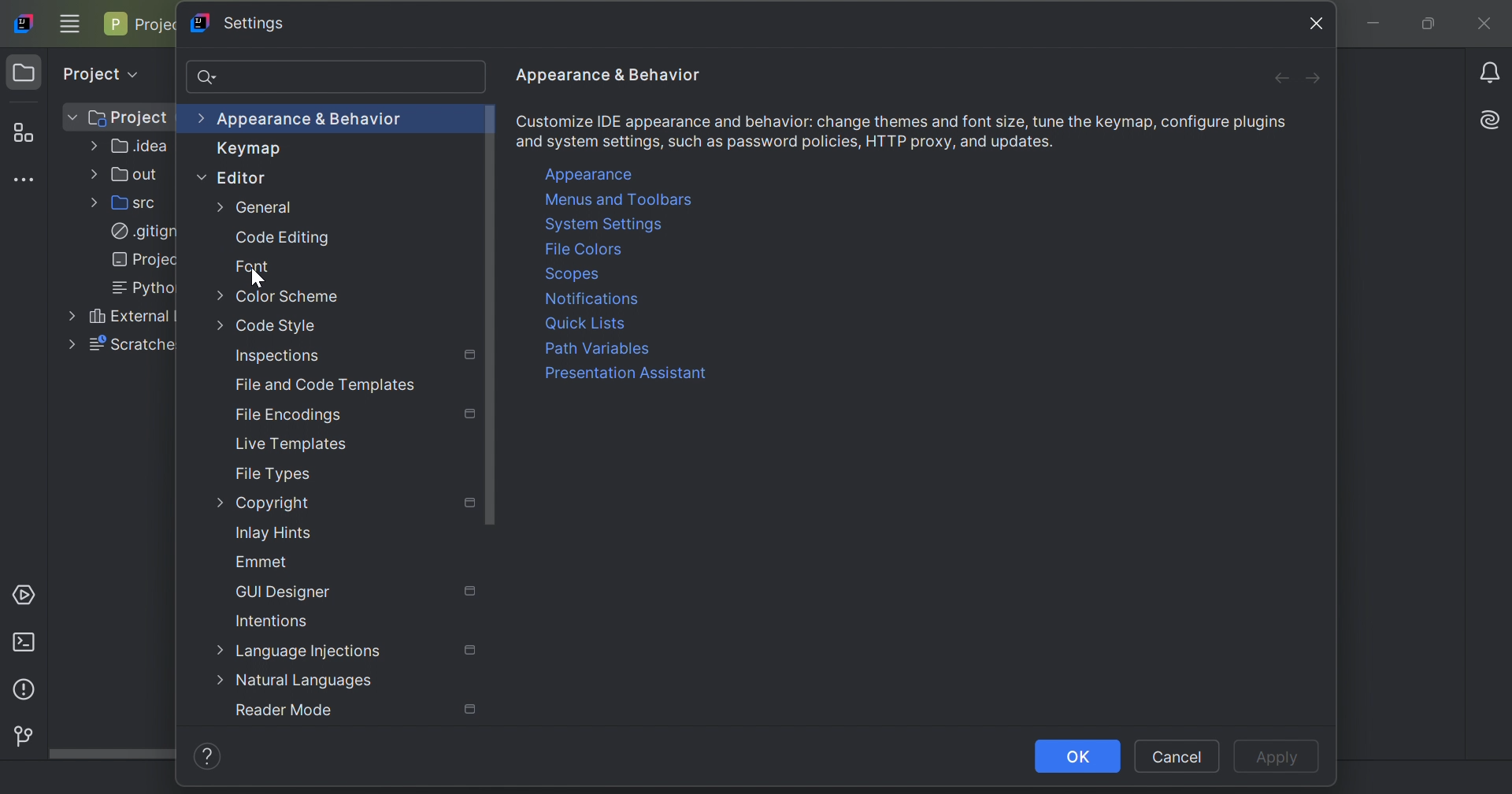 The height and width of the screenshot is (794, 1512). I want to click on .gitign, so click(145, 232).